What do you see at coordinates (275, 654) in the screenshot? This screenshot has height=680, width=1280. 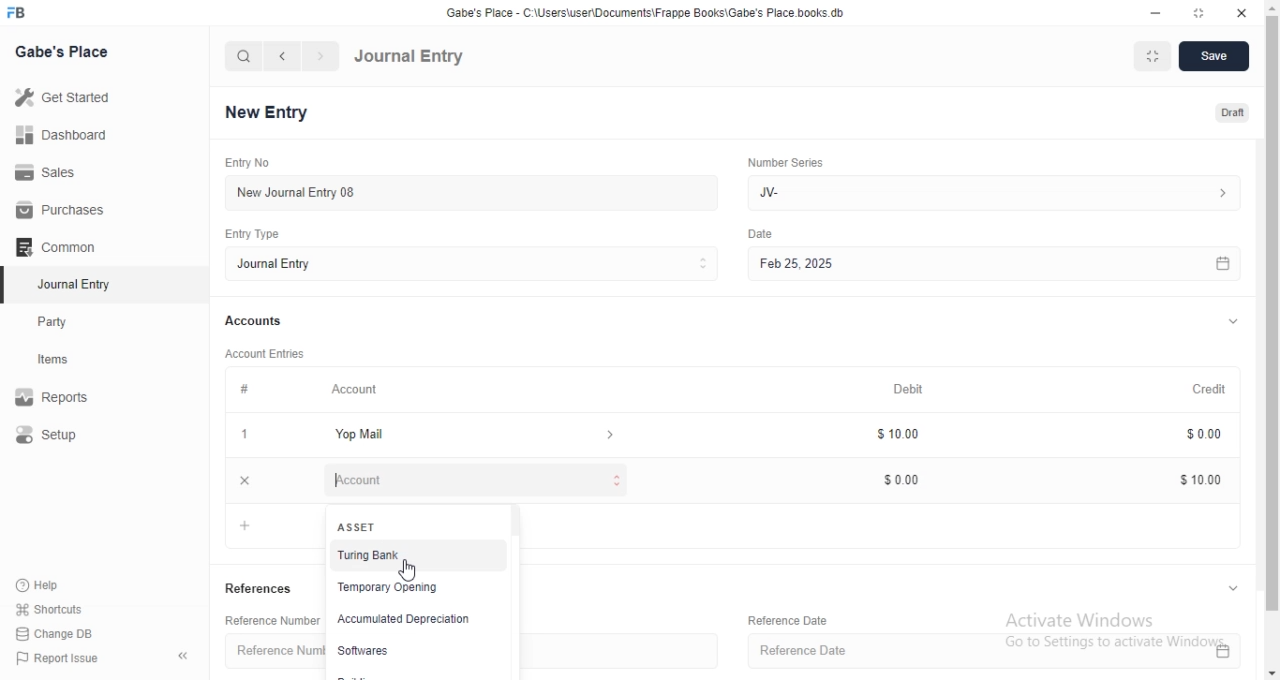 I see `Reference Number` at bounding box center [275, 654].